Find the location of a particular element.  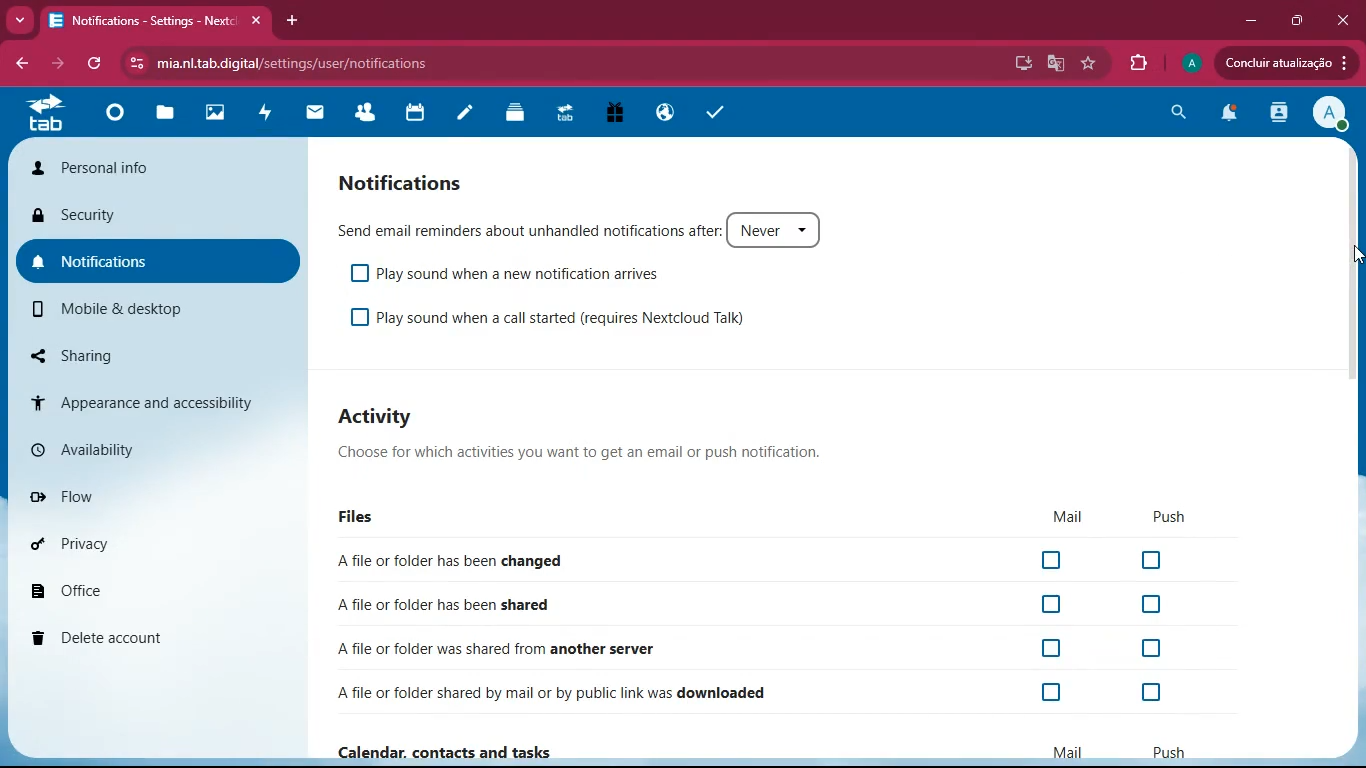

minimize is located at coordinates (1252, 20).